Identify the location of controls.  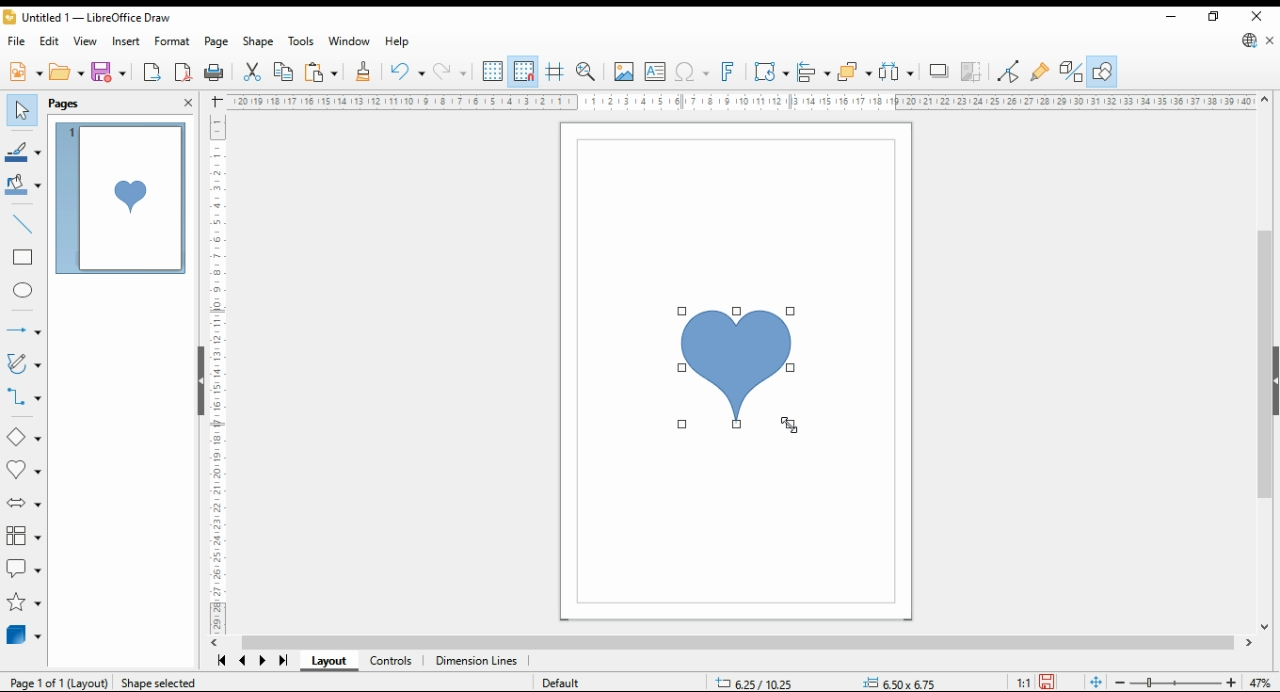
(392, 663).